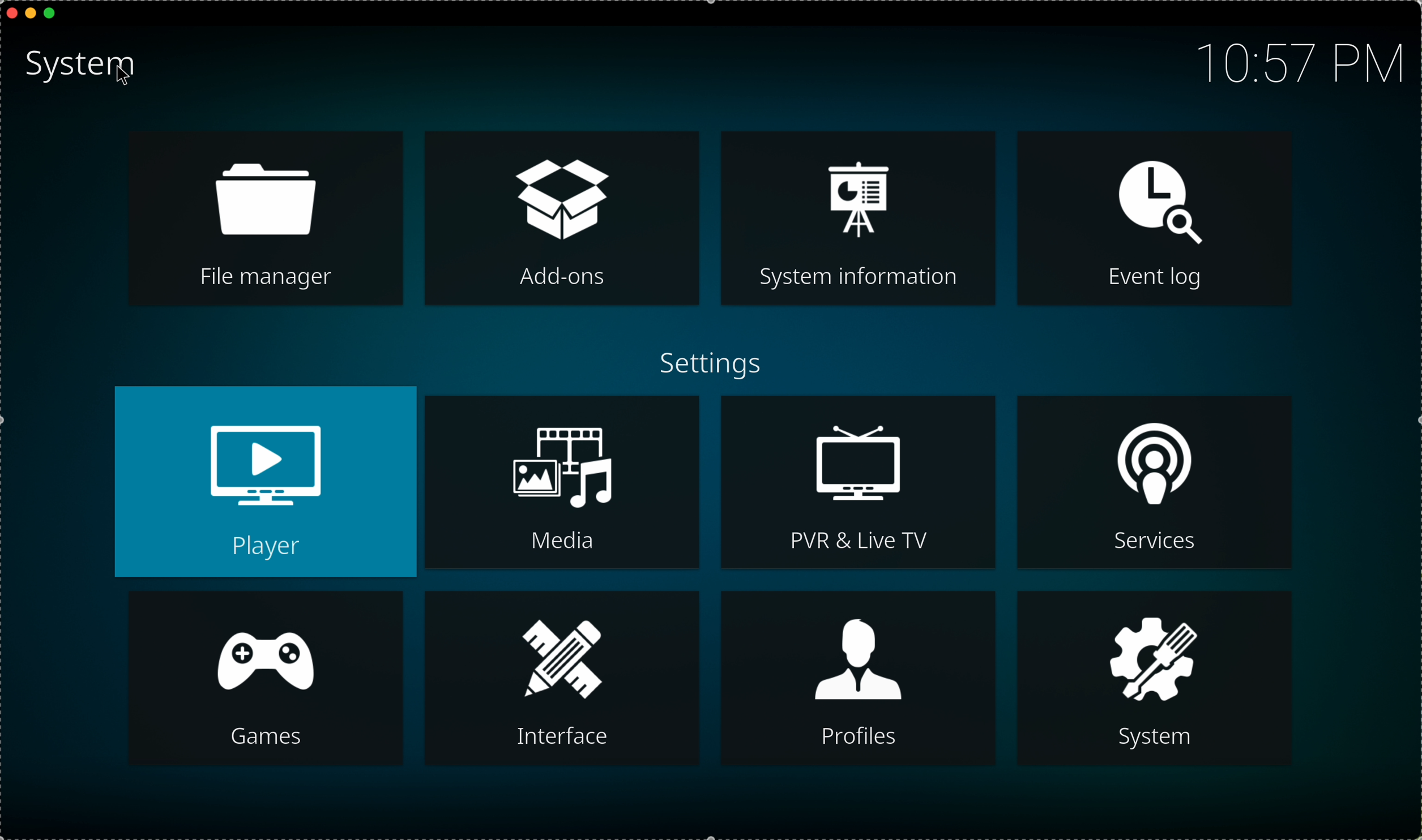 The image size is (1422, 840). I want to click on settings, so click(709, 368).